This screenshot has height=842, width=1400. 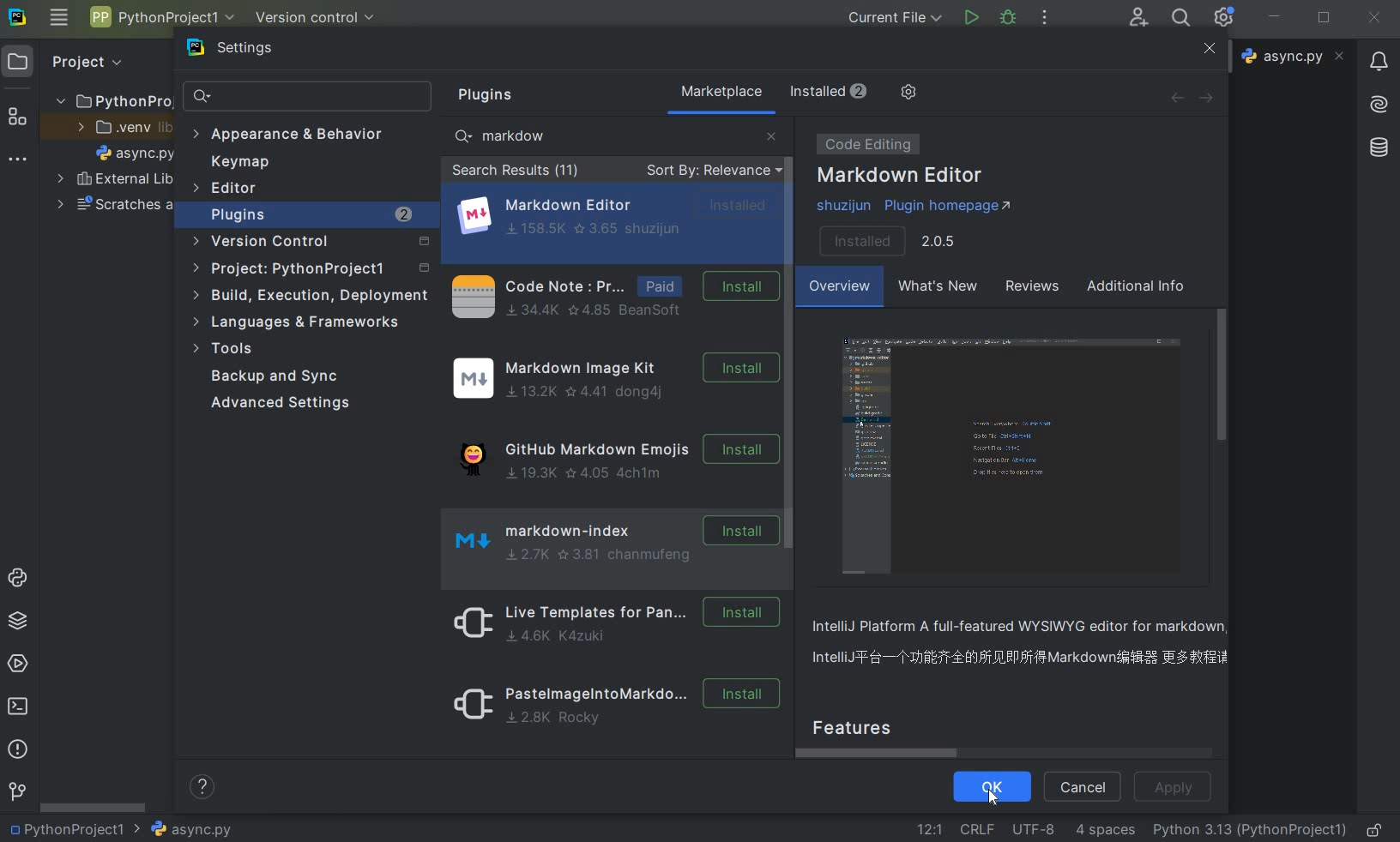 I want to click on version control, so click(x=316, y=18).